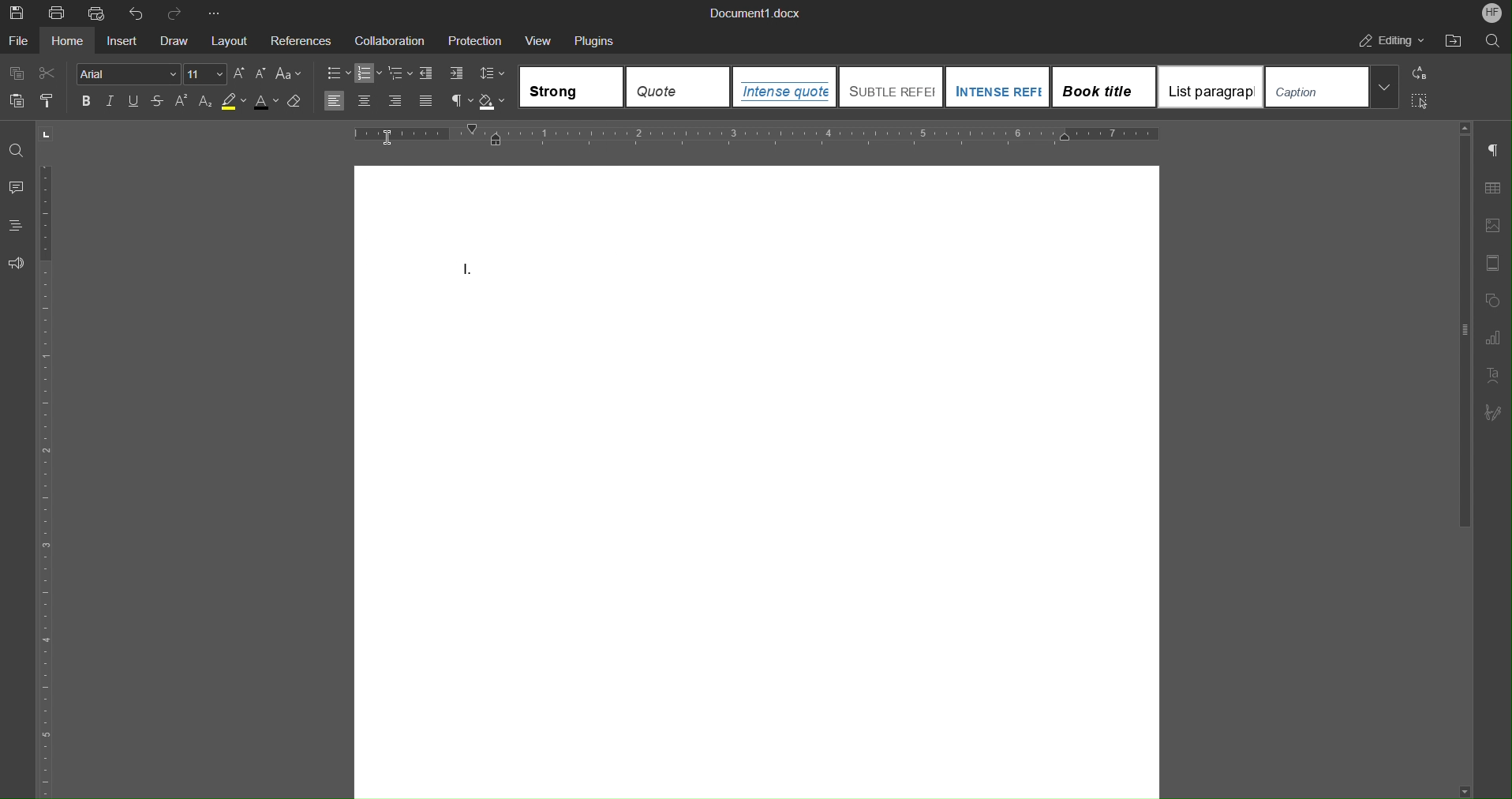  I want to click on Heading 4, so click(1105, 87).